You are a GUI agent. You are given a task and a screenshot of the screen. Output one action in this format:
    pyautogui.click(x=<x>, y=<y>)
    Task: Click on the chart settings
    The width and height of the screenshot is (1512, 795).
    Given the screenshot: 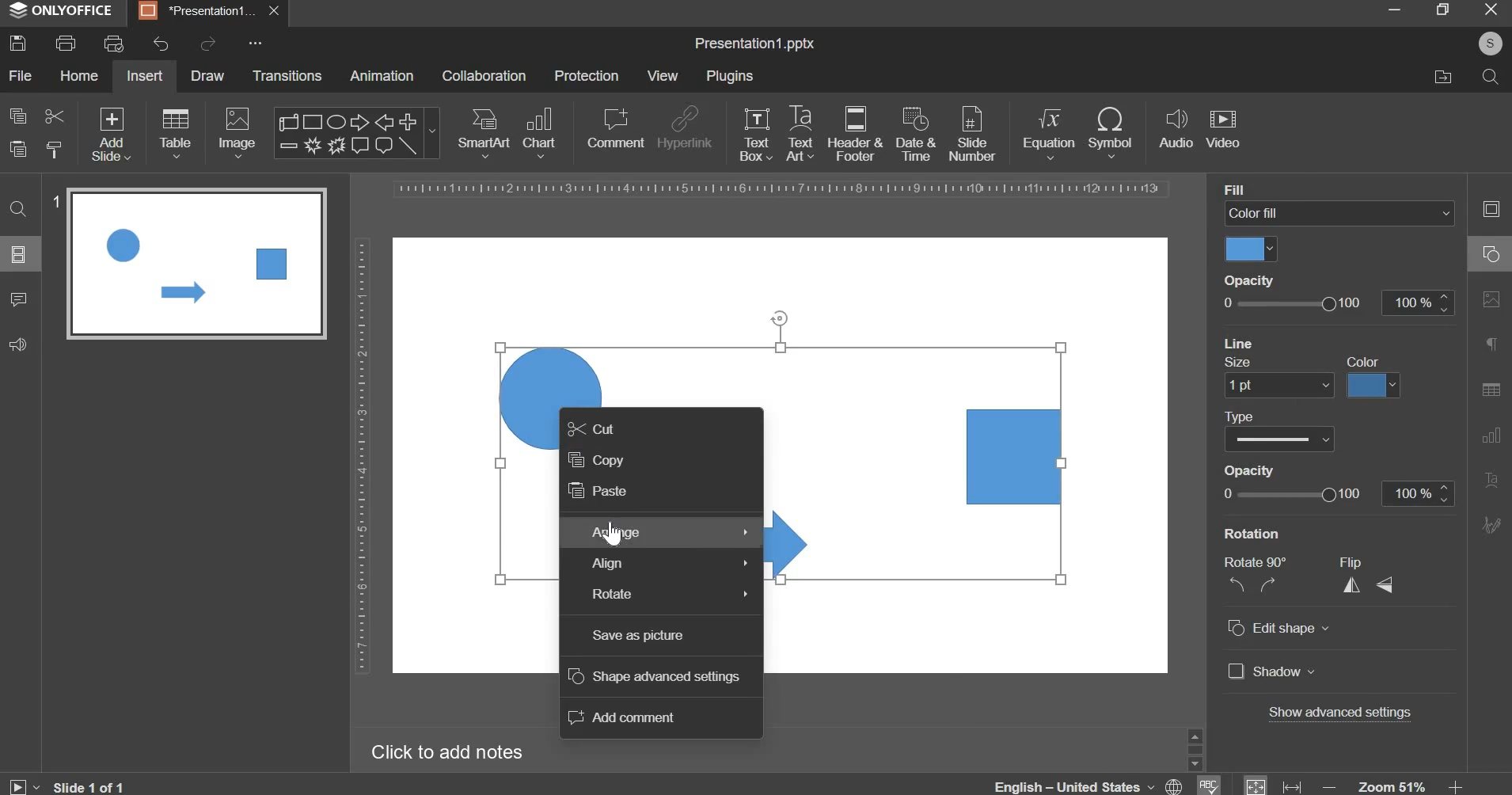 What is the action you would take?
    pyautogui.click(x=1487, y=435)
    